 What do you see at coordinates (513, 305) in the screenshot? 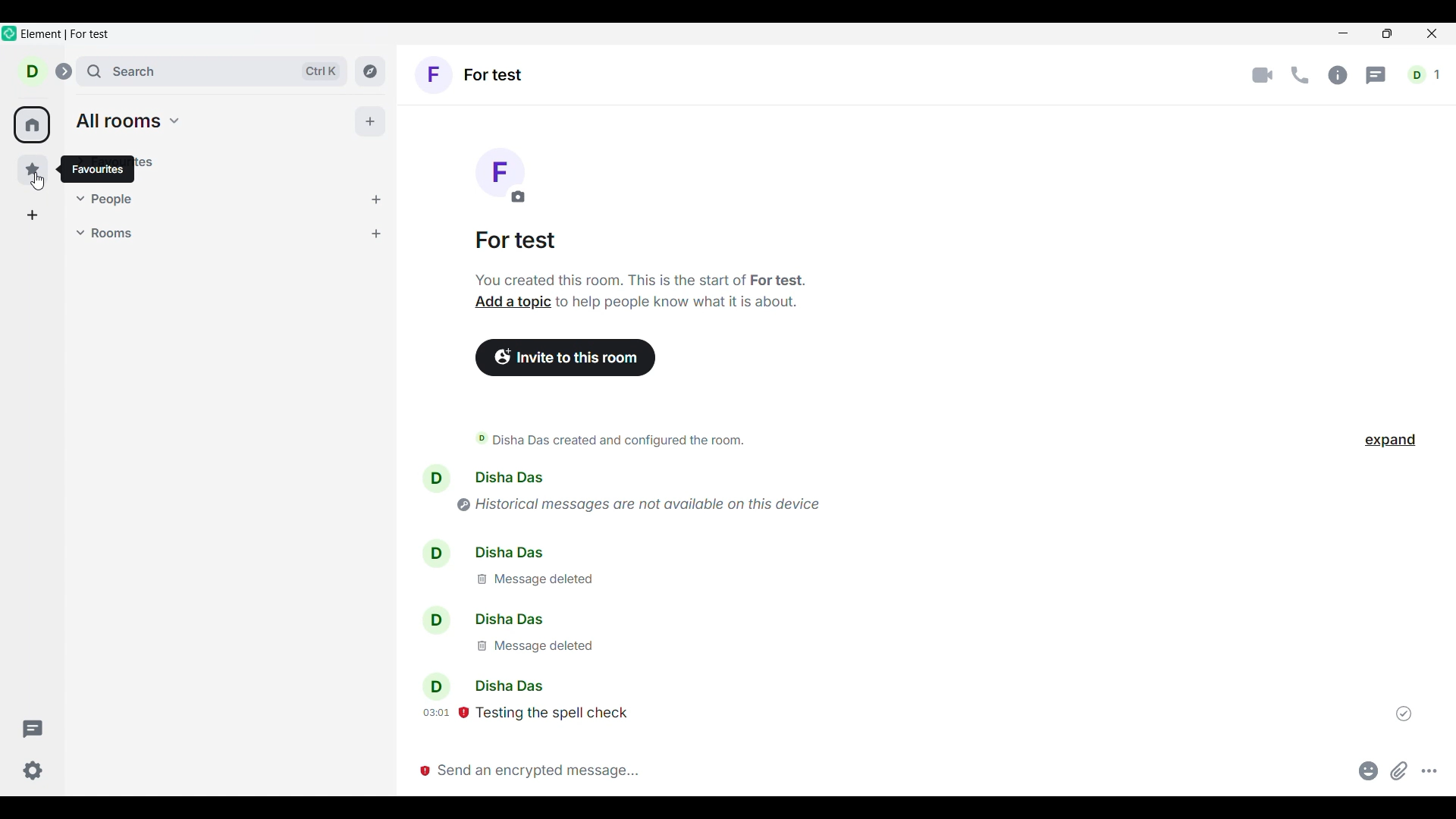
I see `add a topic` at bounding box center [513, 305].